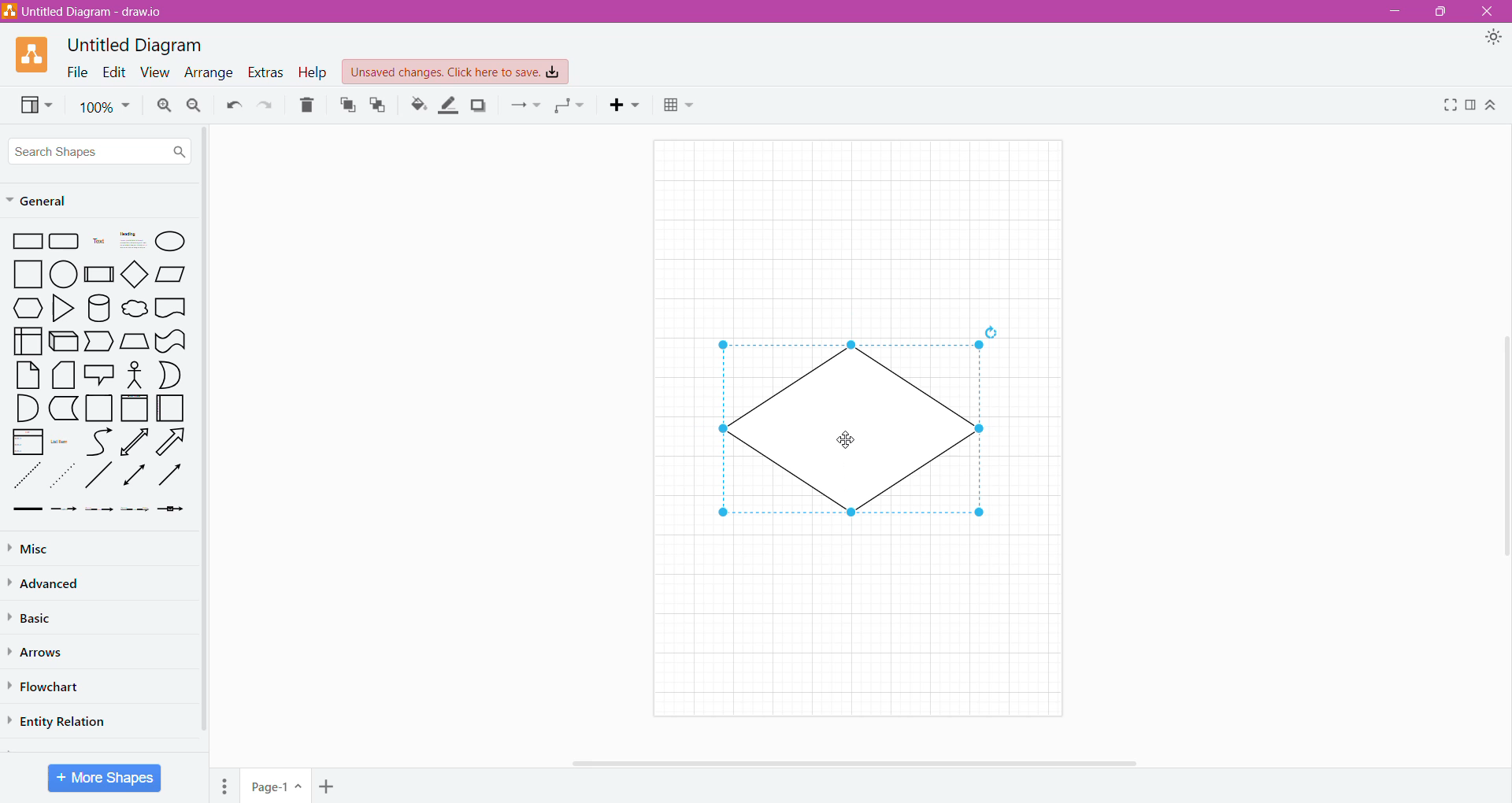  I want to click on , so click(276, 786).